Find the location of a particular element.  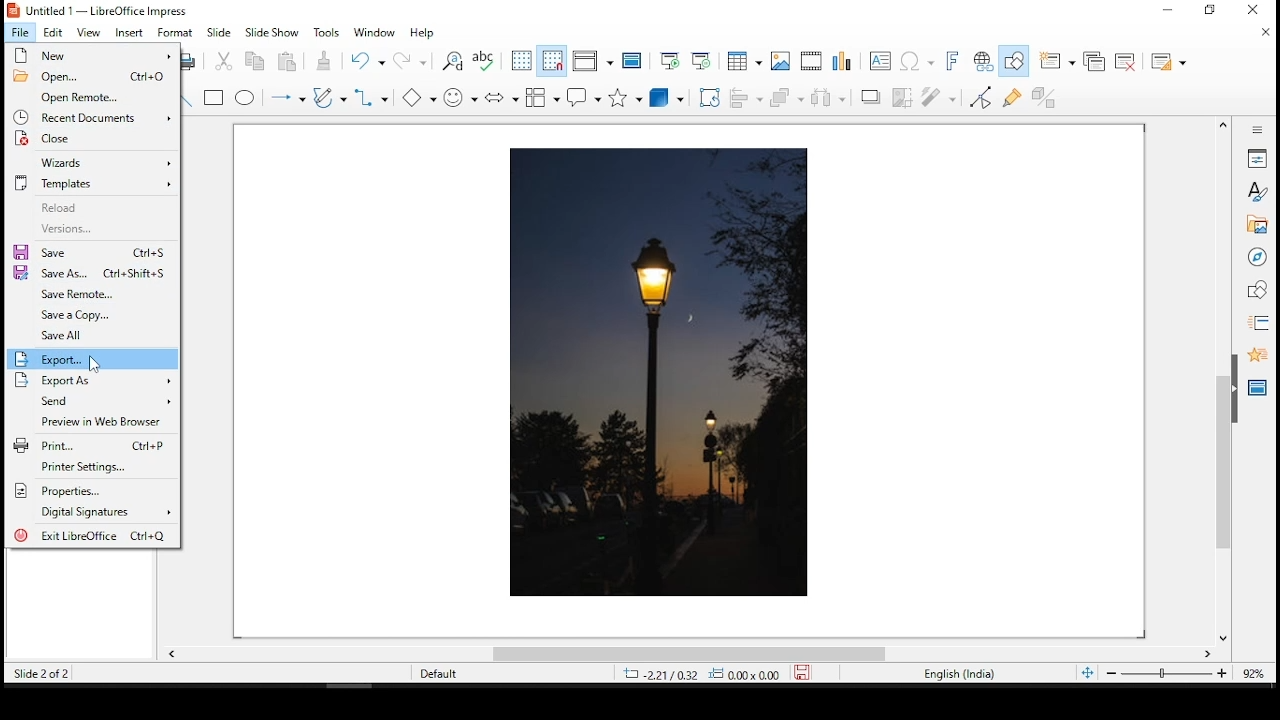

connectors is located at coordinates (369, 99).